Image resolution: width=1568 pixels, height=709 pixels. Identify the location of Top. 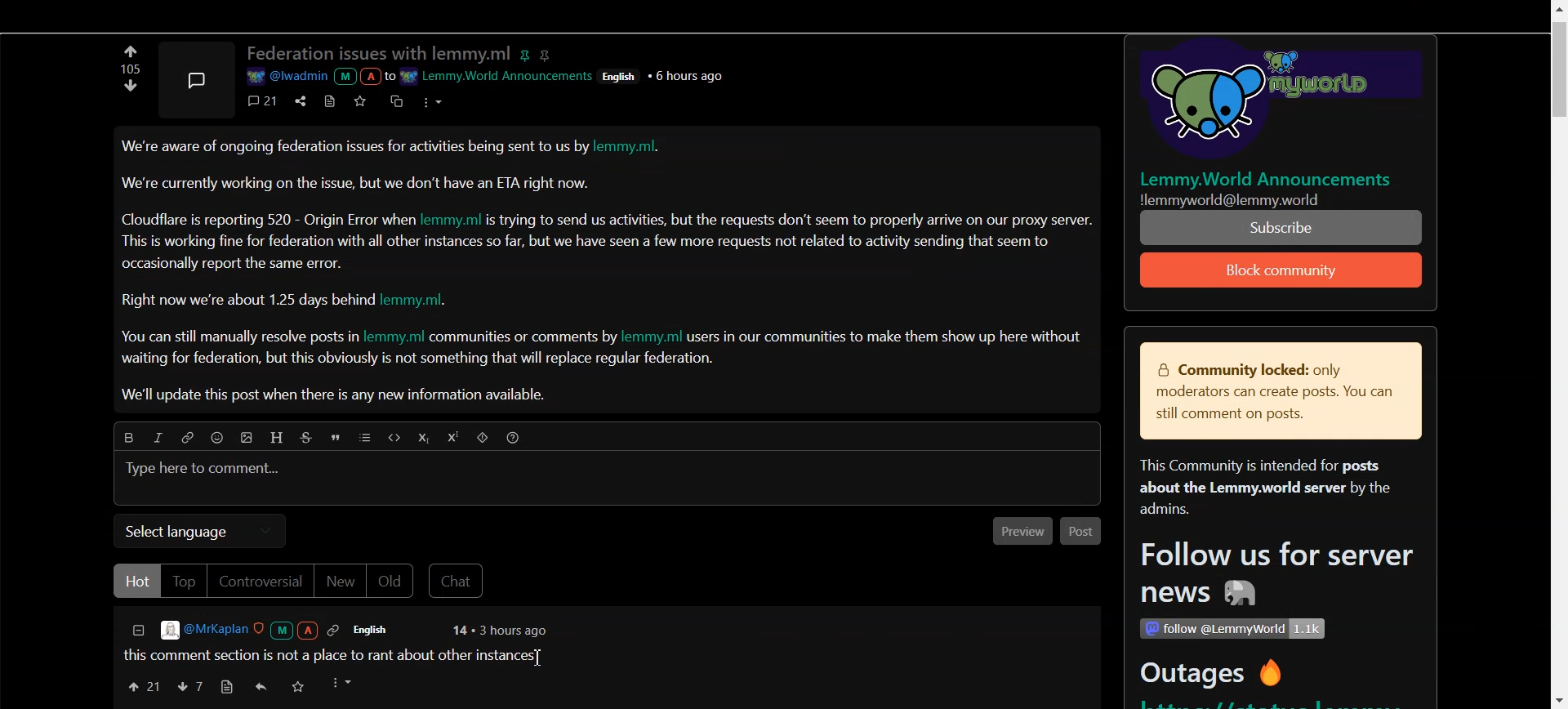
(183, 581).